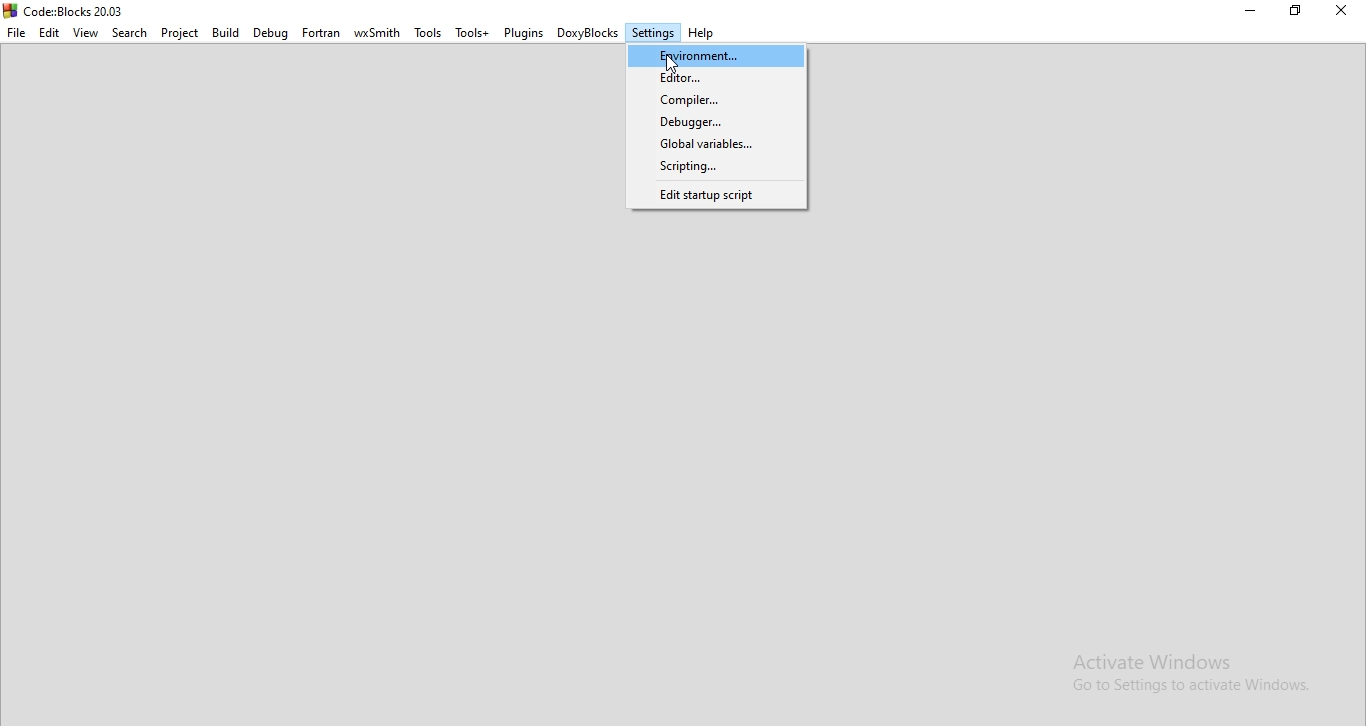 The width and height of the screenshot is (1366, 726). Describe the element at coordinates (319, 33) in the screenshot. I see `Fortran` at that location.